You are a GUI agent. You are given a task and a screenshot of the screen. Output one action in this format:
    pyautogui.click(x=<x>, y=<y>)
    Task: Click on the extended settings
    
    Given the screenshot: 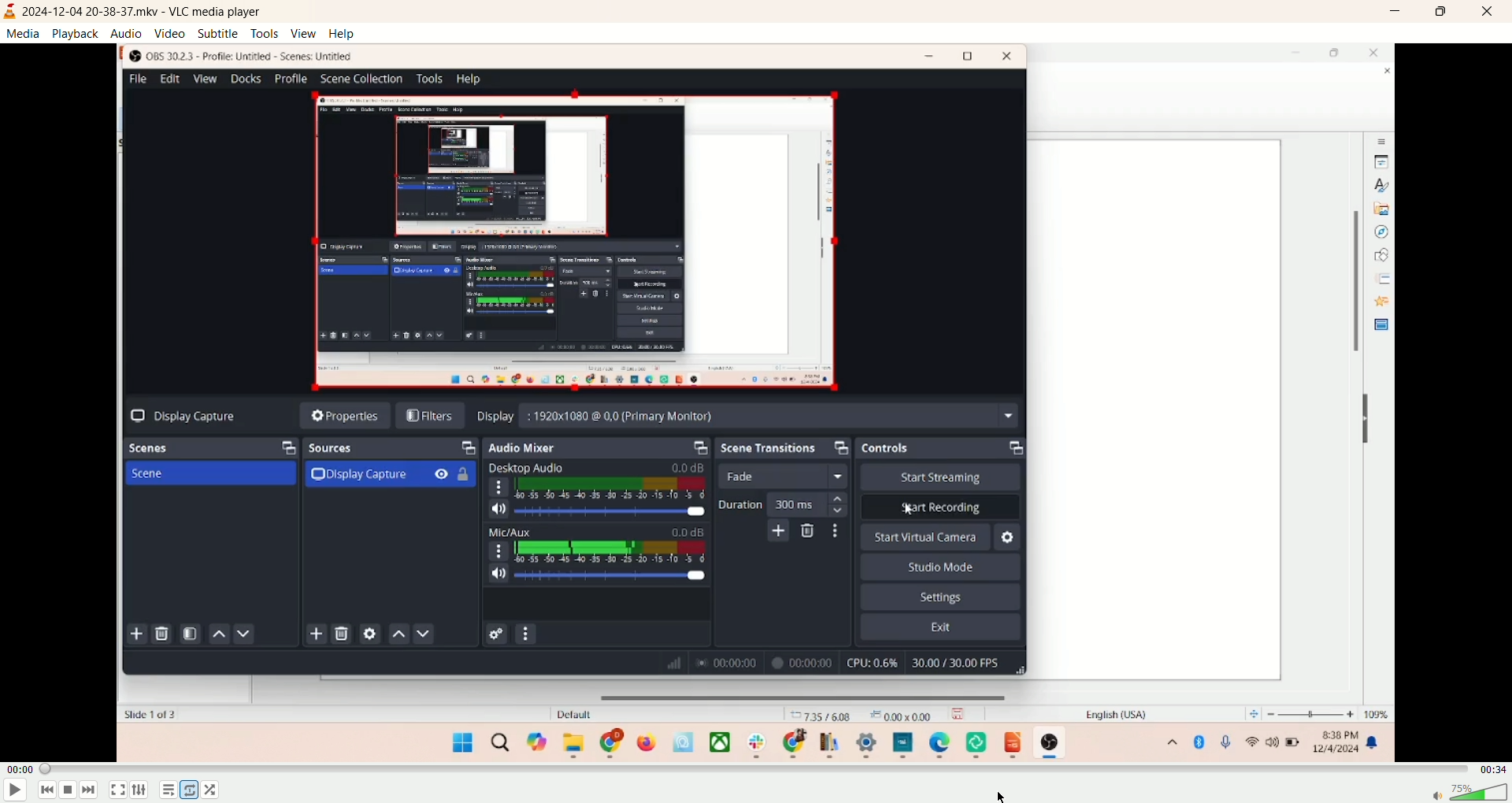 What is the action you would take?
    pyautogui.click(x=138, y=790)
    